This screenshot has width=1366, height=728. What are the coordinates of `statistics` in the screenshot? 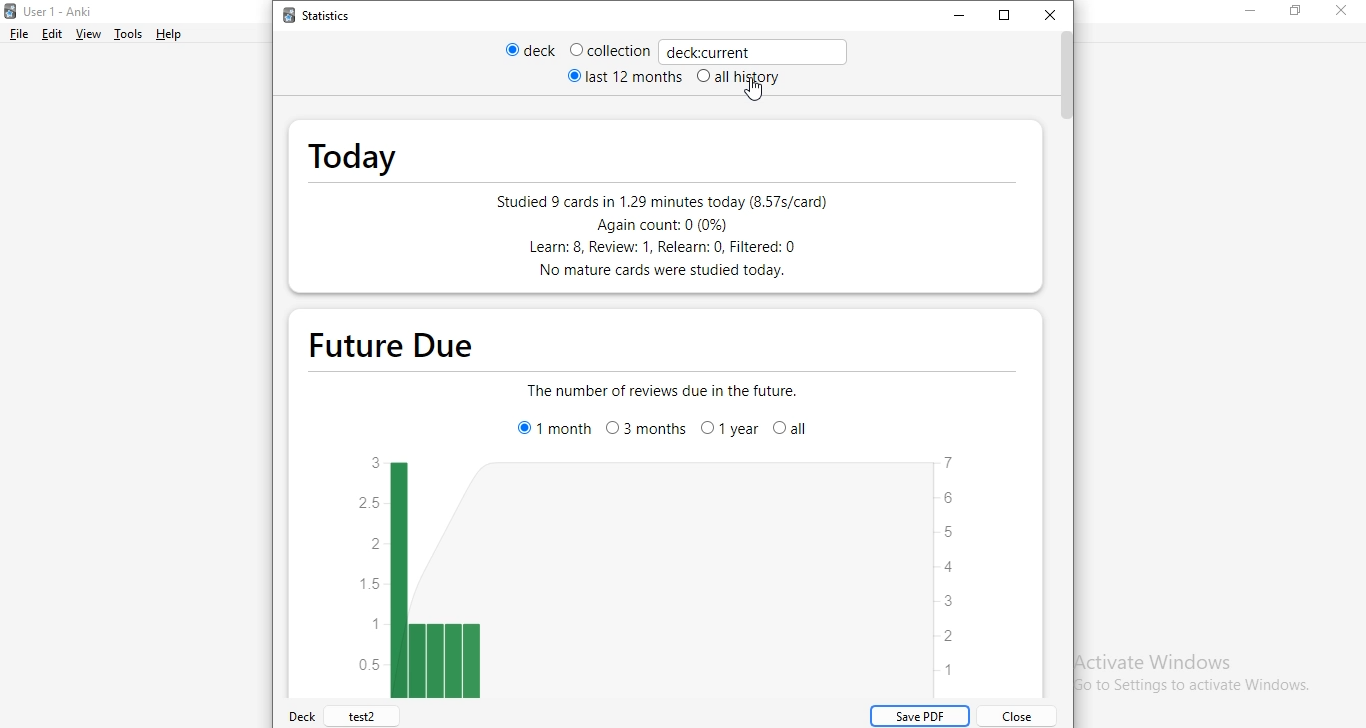 It's located at (322, 19).